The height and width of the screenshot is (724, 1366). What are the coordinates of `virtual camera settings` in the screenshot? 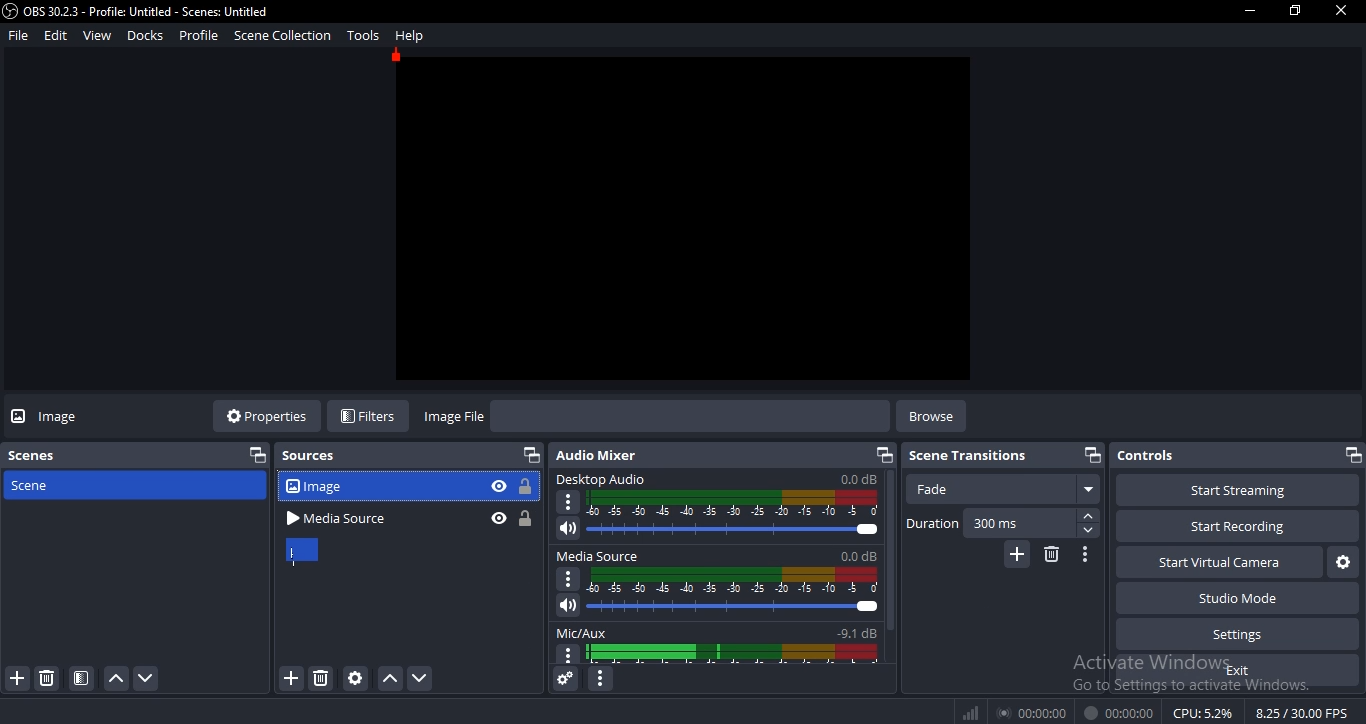 It's located at (1343, 565).